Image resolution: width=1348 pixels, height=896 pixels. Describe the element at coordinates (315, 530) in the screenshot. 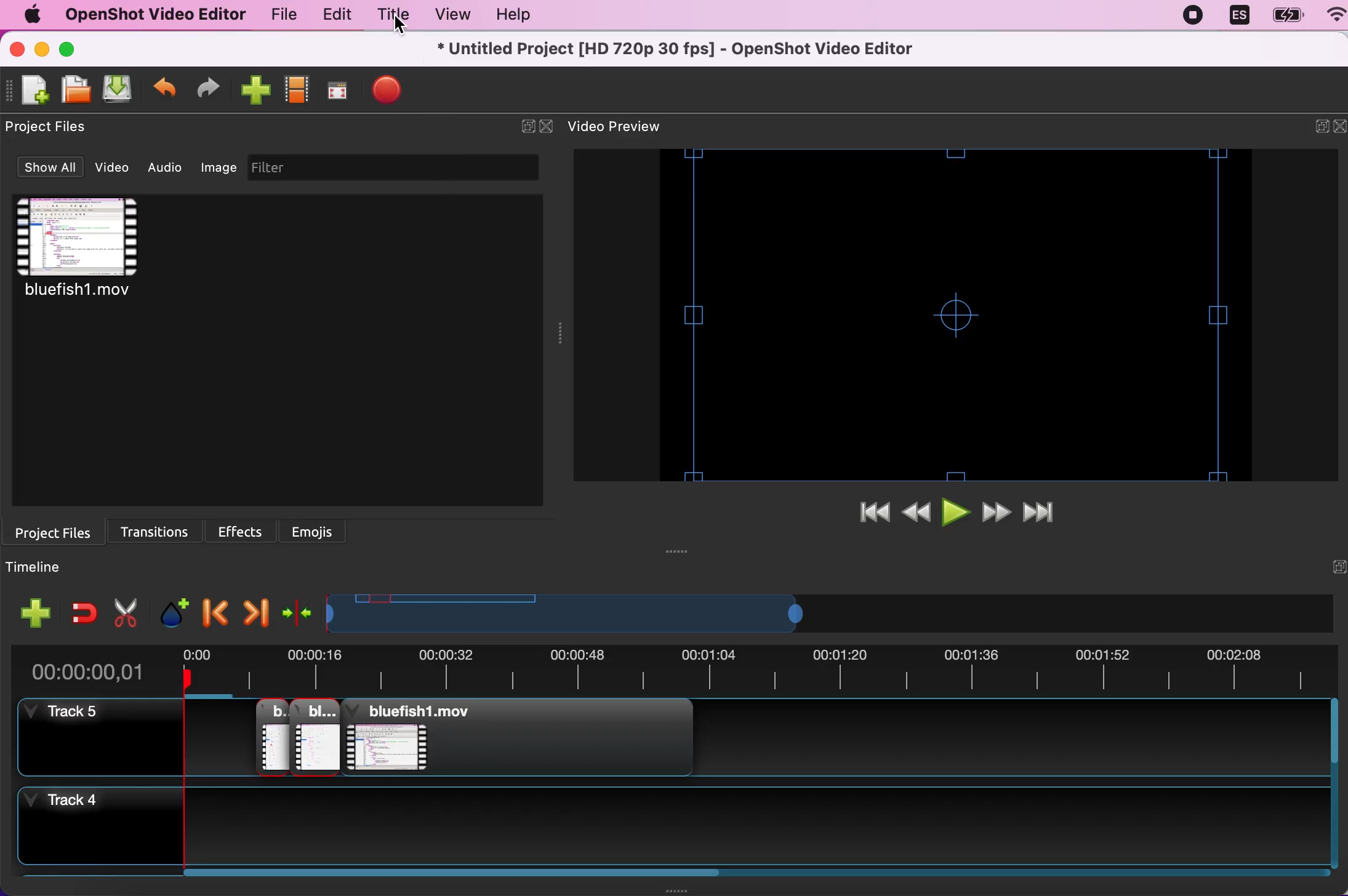

I see `emojis` at that location.